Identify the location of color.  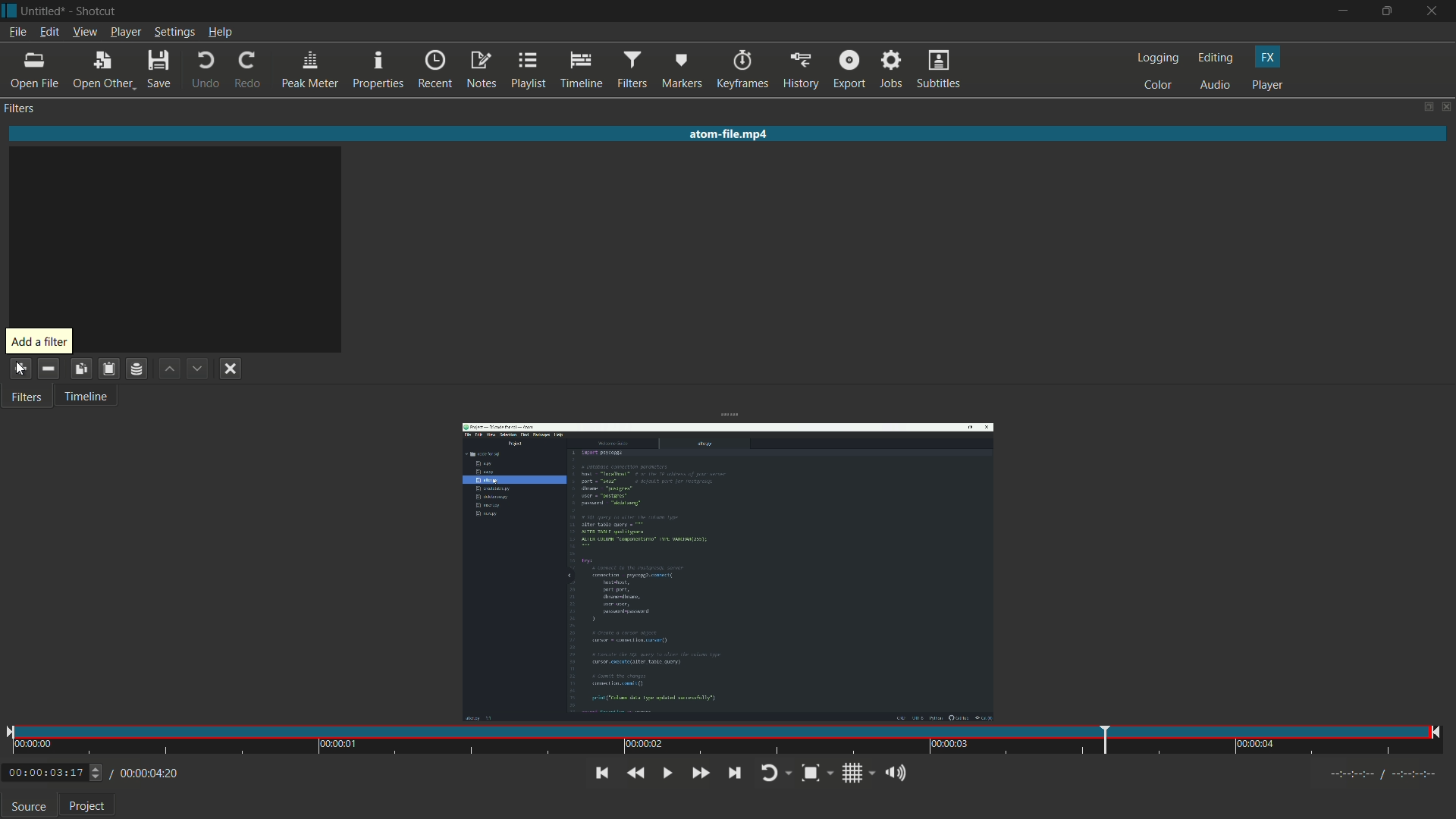
(1161, 86).